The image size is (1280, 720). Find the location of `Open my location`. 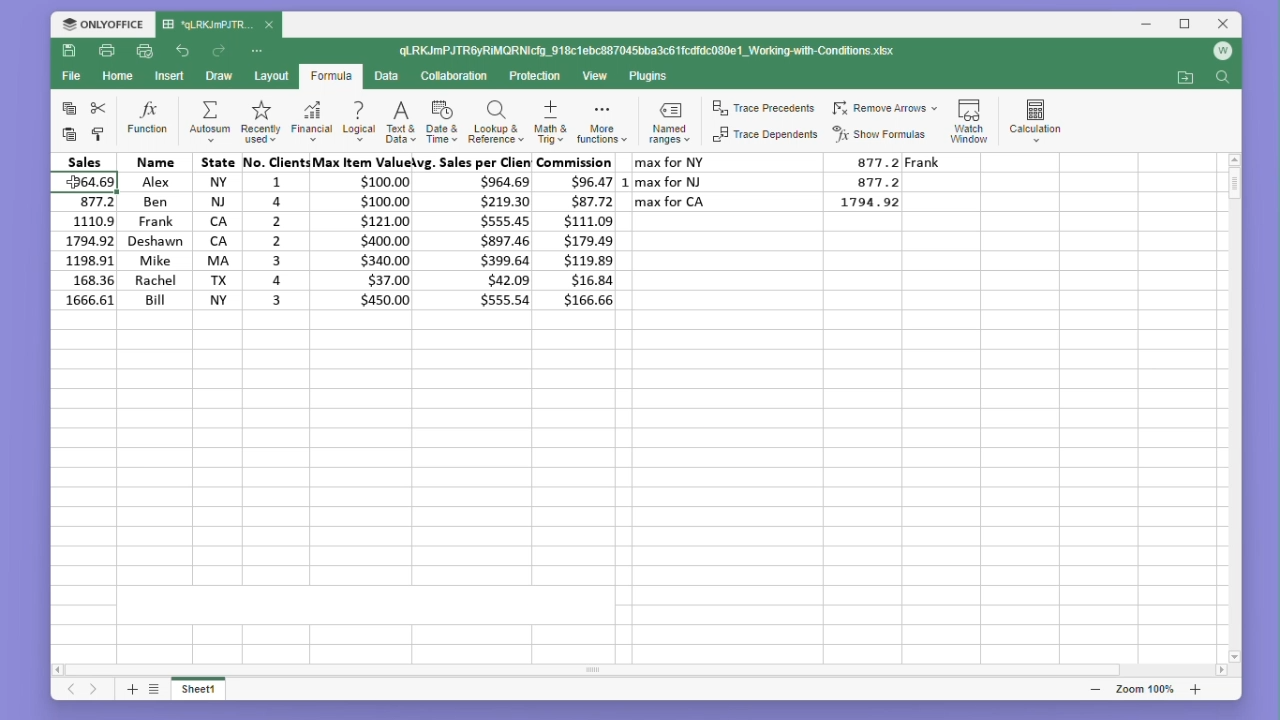

Open my location is located at coordinates (1185, 78).